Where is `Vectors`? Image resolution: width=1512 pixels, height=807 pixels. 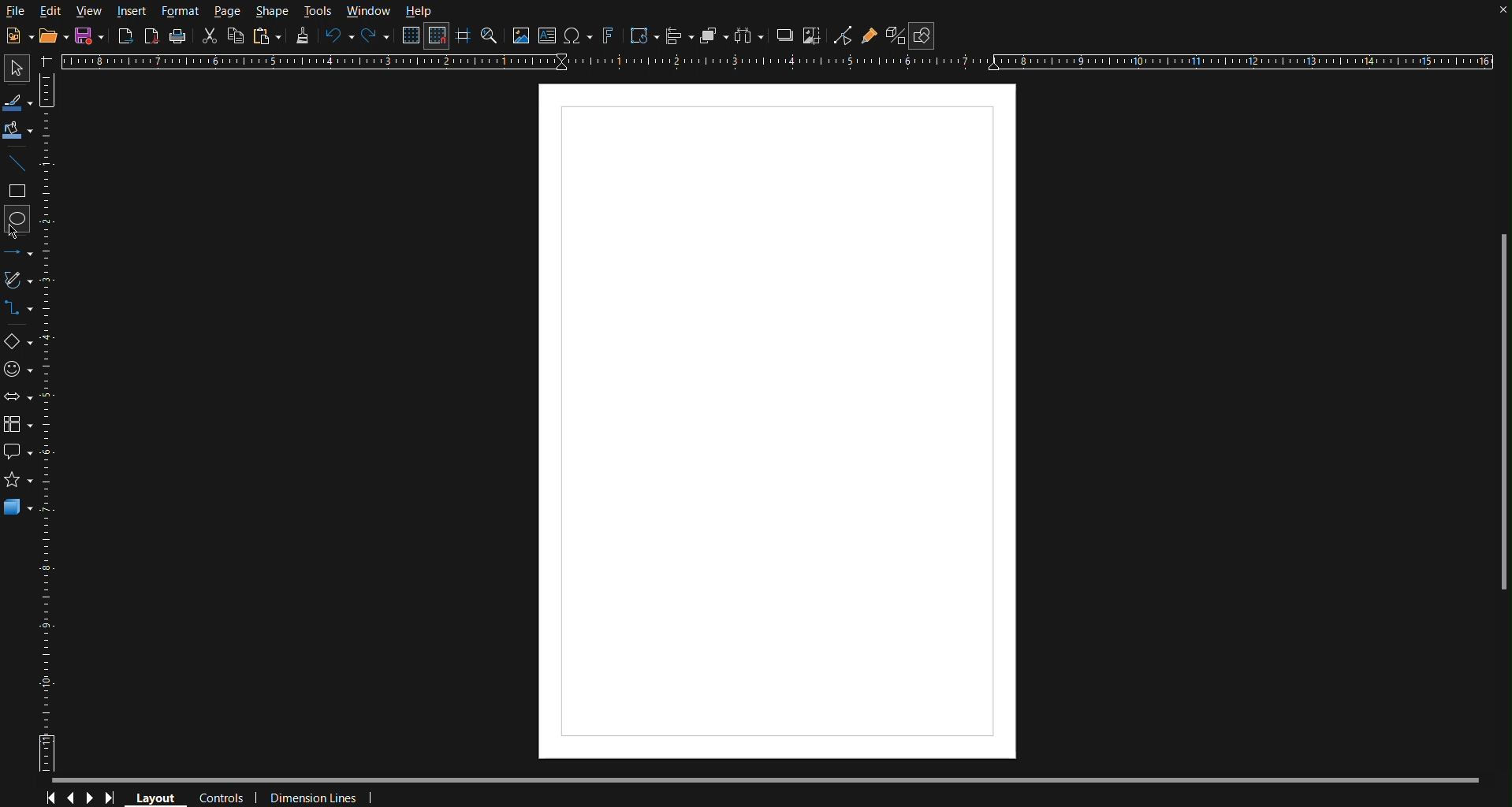
Vectors is located at coordinates (19, 280).